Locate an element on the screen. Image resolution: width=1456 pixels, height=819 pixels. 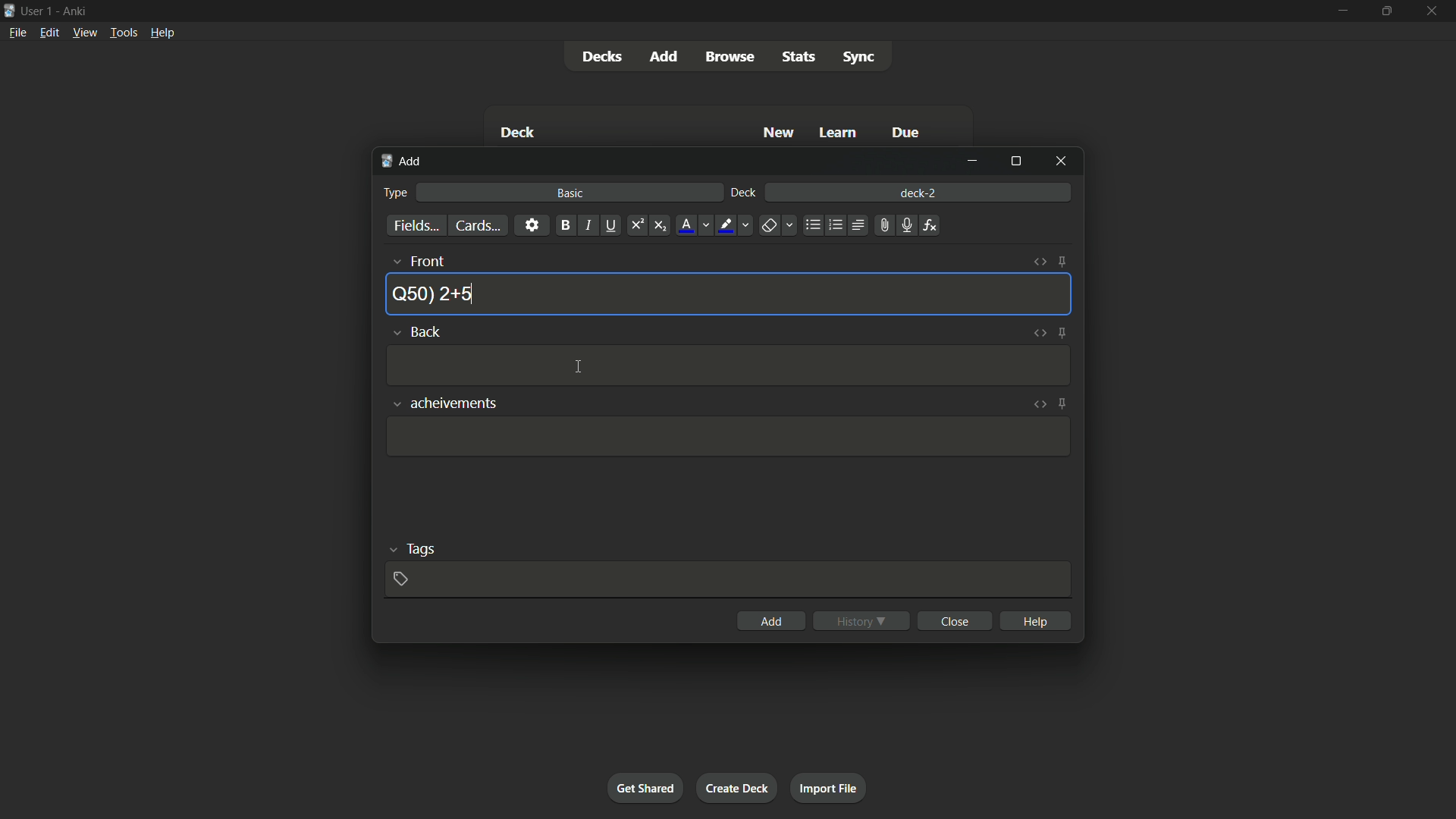
maximize is located at coordinates (1014, 162).